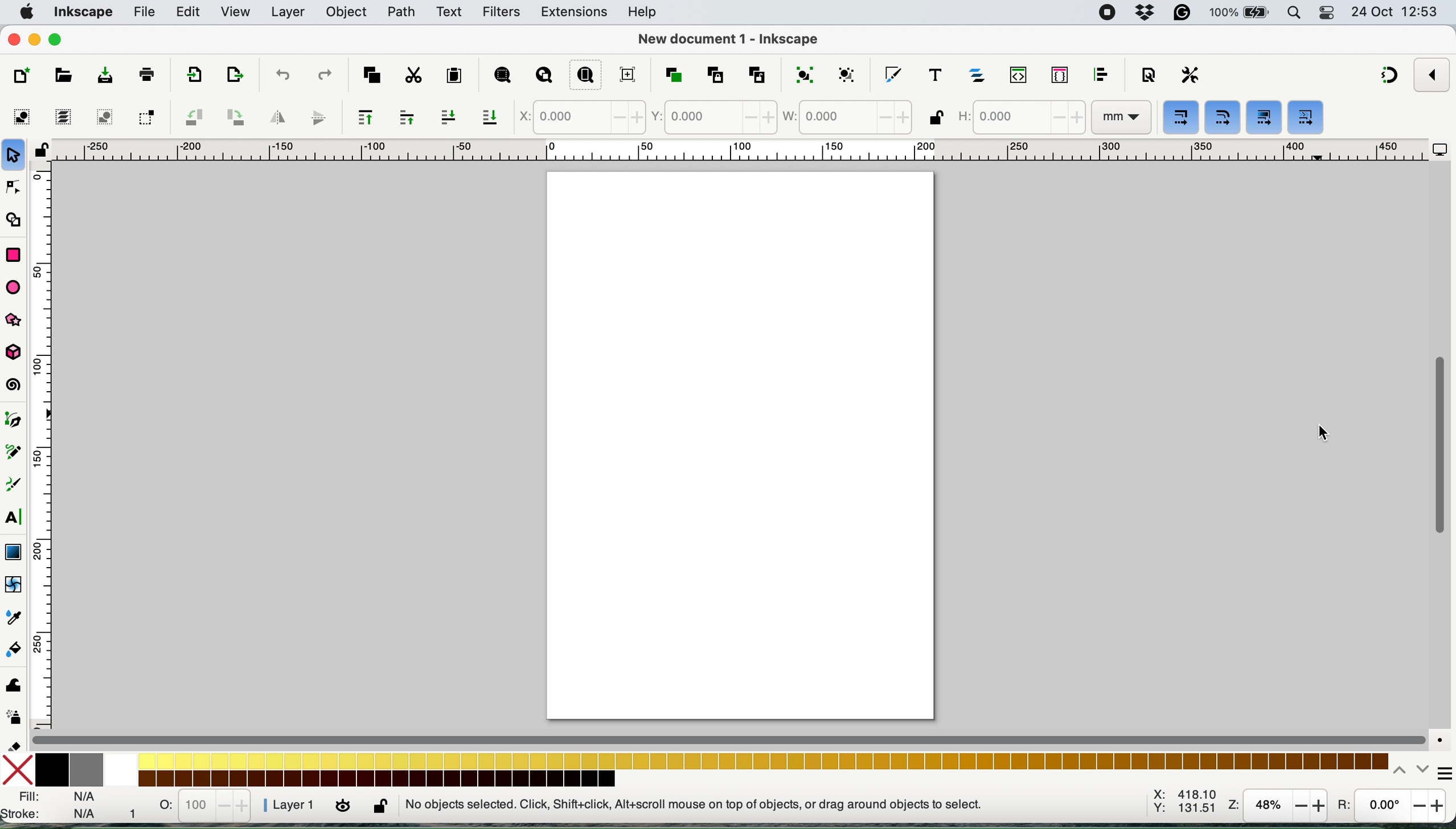 The height and width of the screenshot is (829, 1456). I want to click on group, so click(803, 73).